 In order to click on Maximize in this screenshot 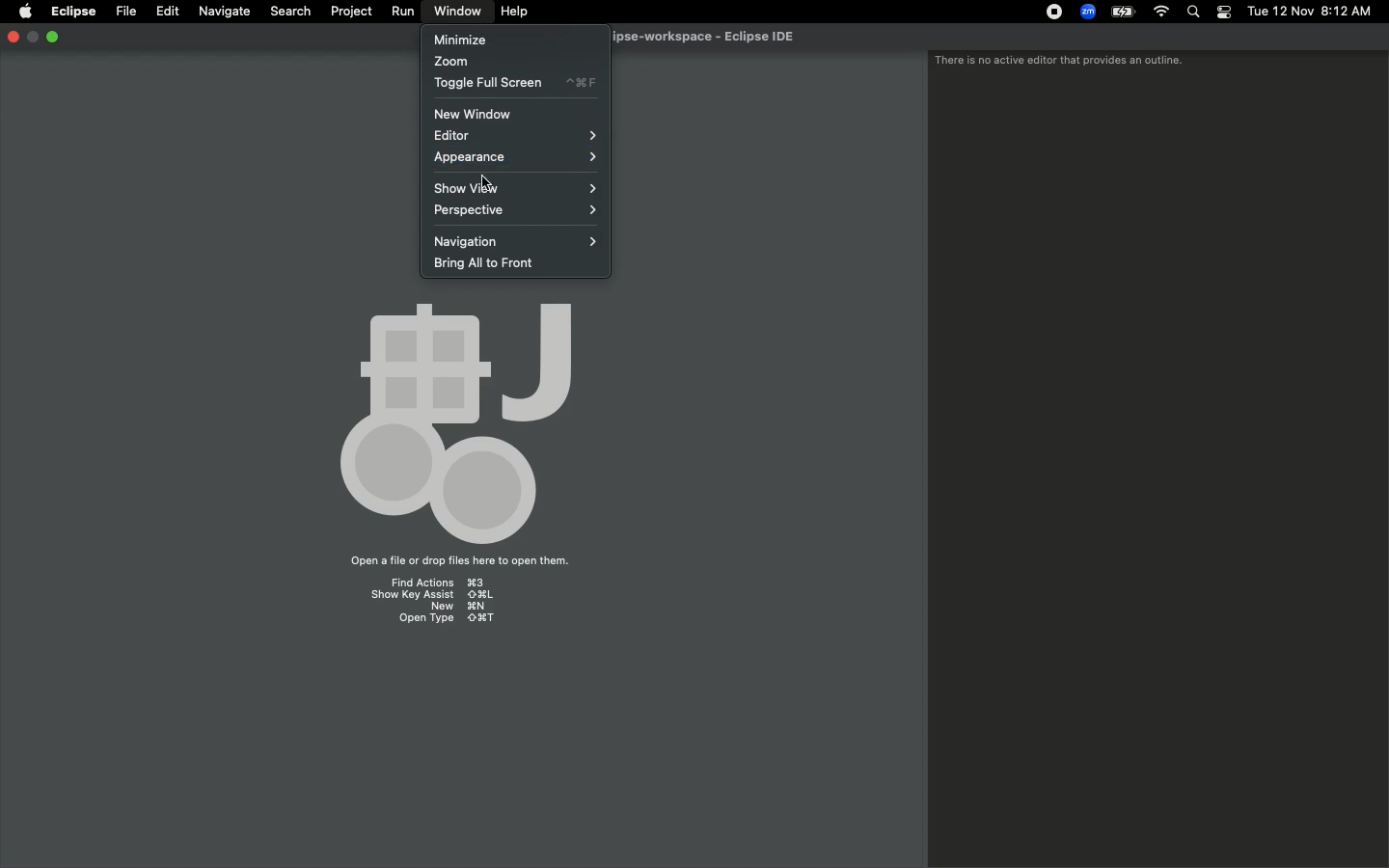, I will do `click(53, 38)`.